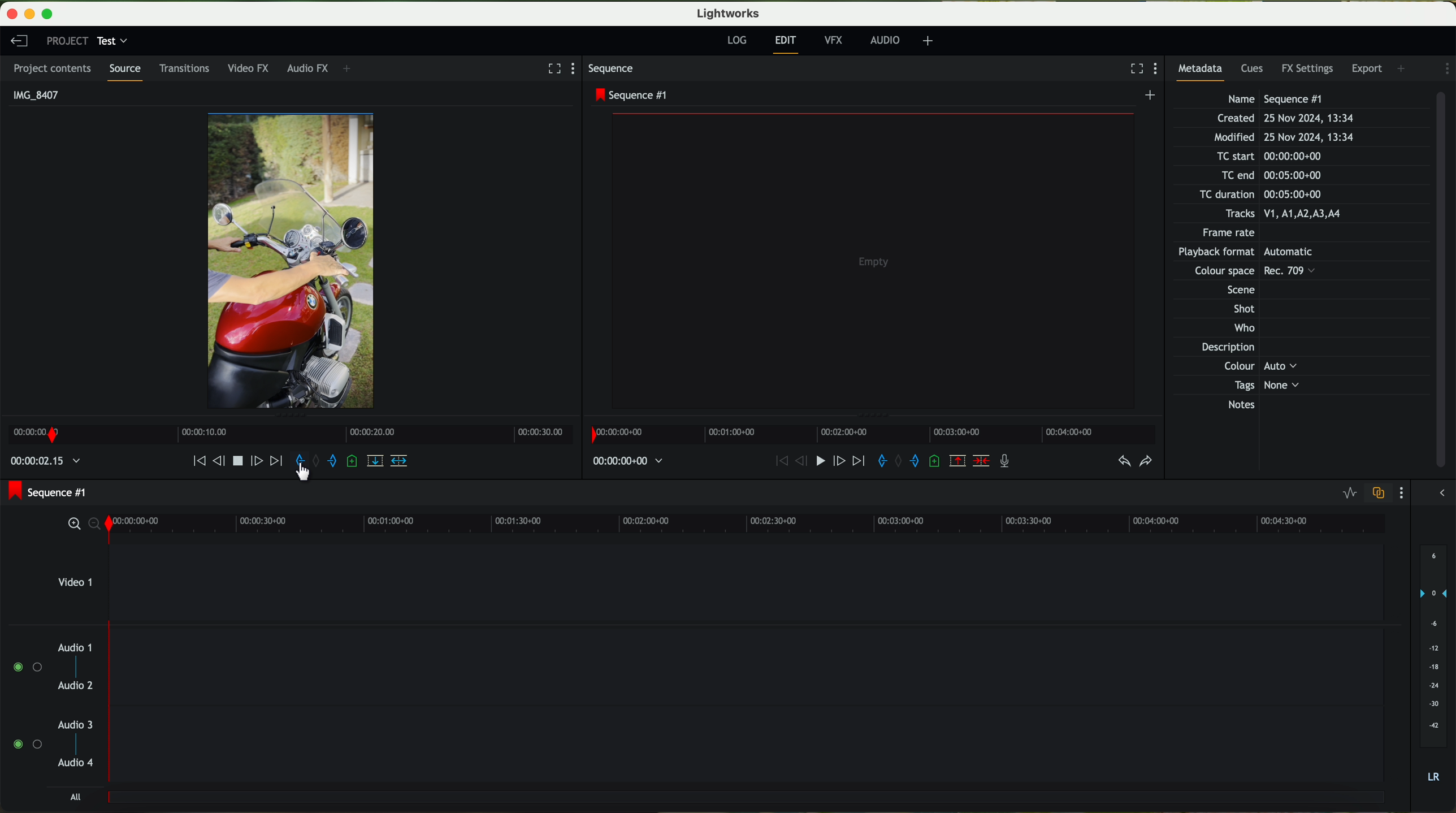  I want to click on show settings menu, so click(1404, 493).